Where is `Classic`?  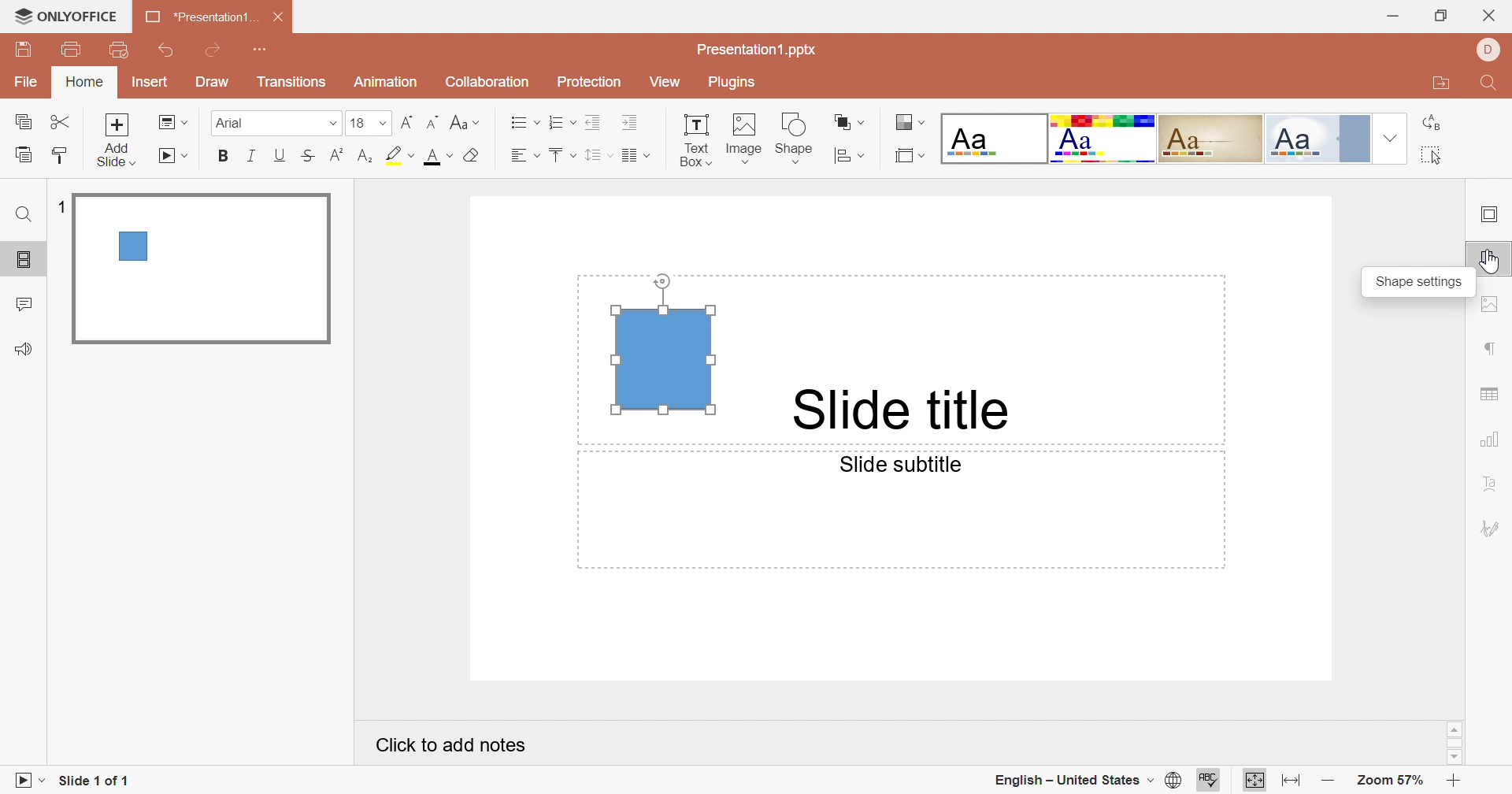 Classic is located at coordinates (1216, 139).